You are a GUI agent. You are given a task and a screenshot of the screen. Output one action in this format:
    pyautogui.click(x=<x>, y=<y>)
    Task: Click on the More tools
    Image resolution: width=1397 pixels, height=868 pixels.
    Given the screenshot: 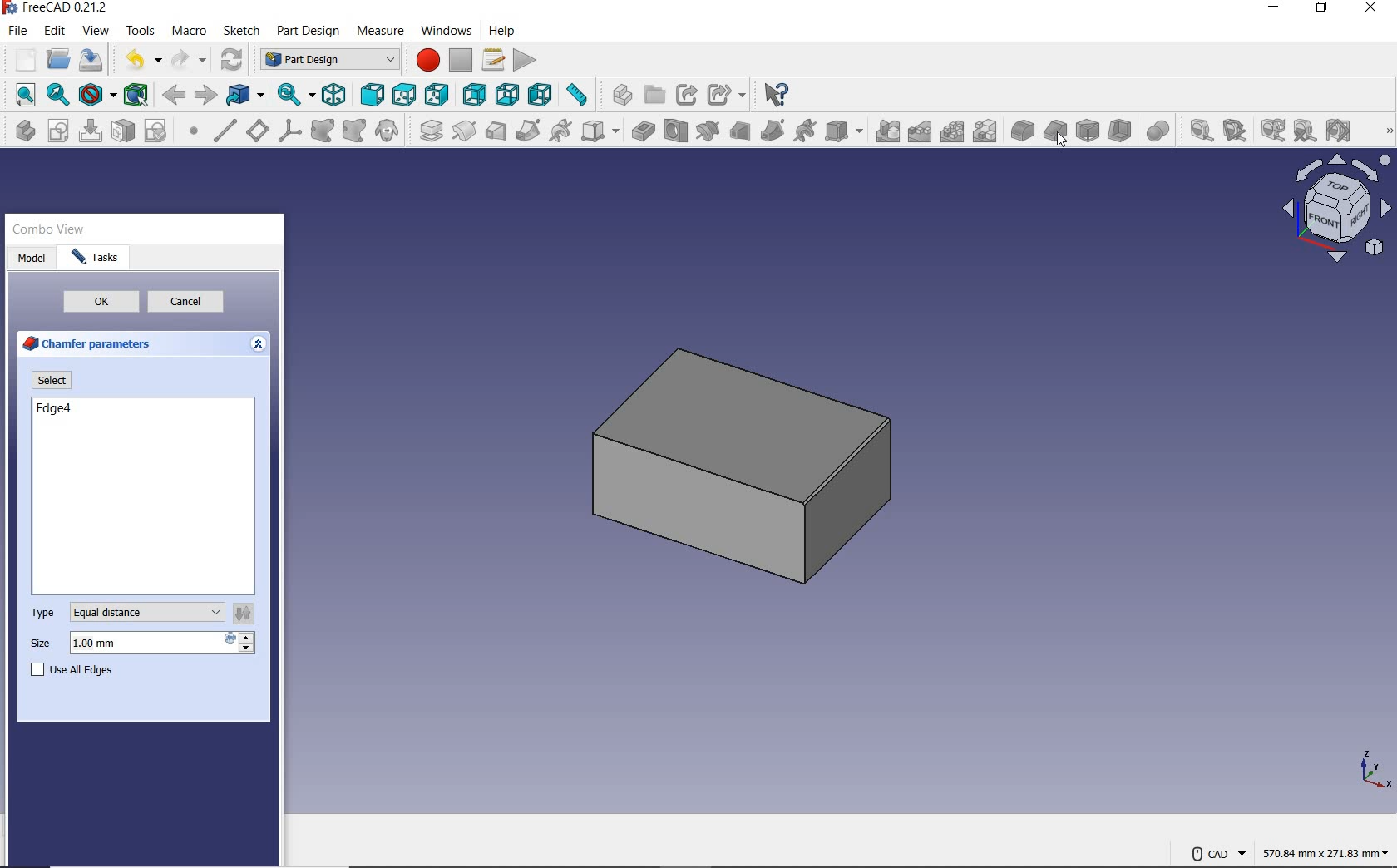 What is the action you would take?
    pyautogui.click(x=1379, y=134)
    